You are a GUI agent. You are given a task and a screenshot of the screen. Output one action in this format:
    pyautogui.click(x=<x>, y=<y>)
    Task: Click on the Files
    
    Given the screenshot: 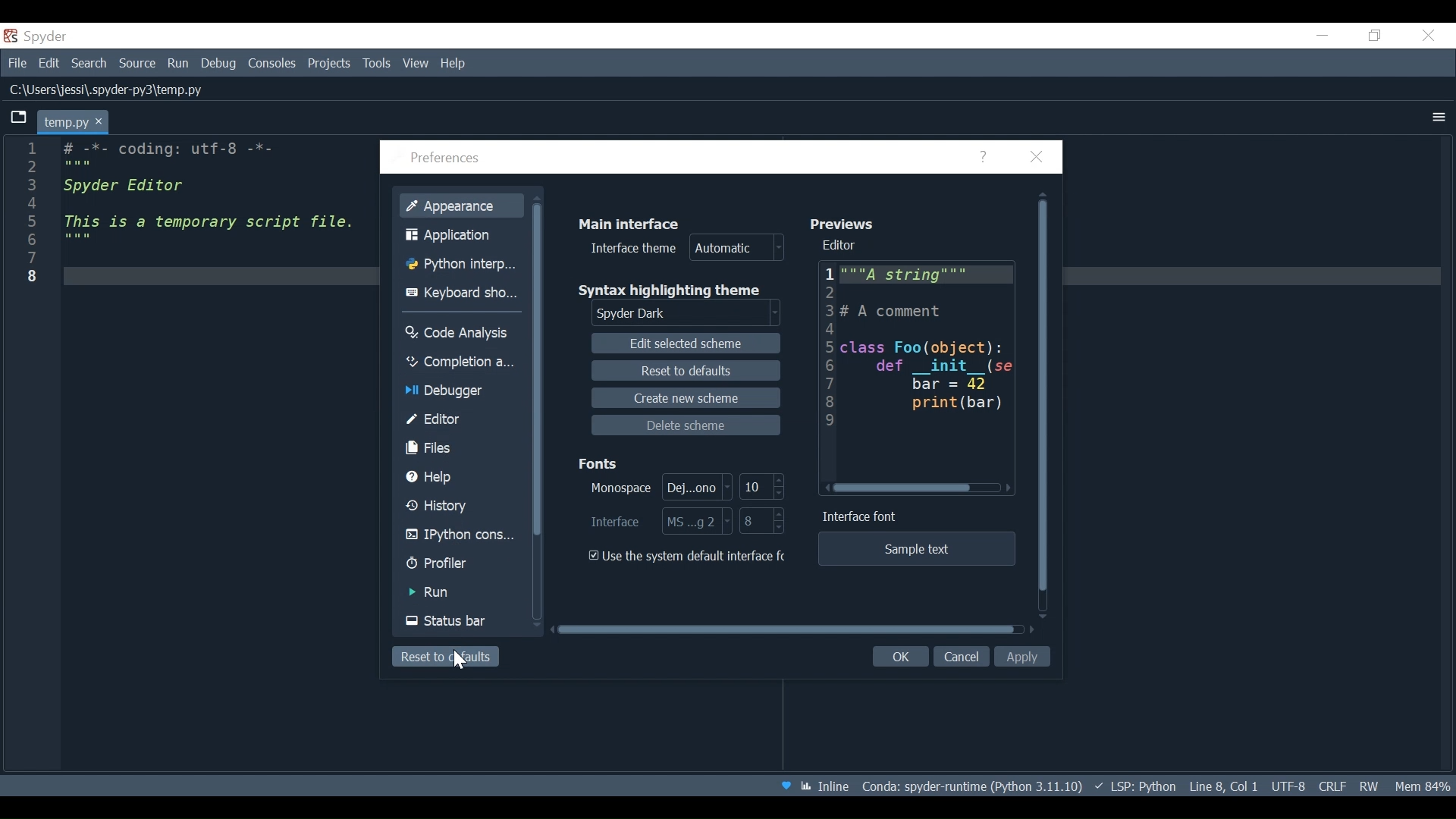 What is the action you would take?
    pyautogui.click(x=462, y=448)
    